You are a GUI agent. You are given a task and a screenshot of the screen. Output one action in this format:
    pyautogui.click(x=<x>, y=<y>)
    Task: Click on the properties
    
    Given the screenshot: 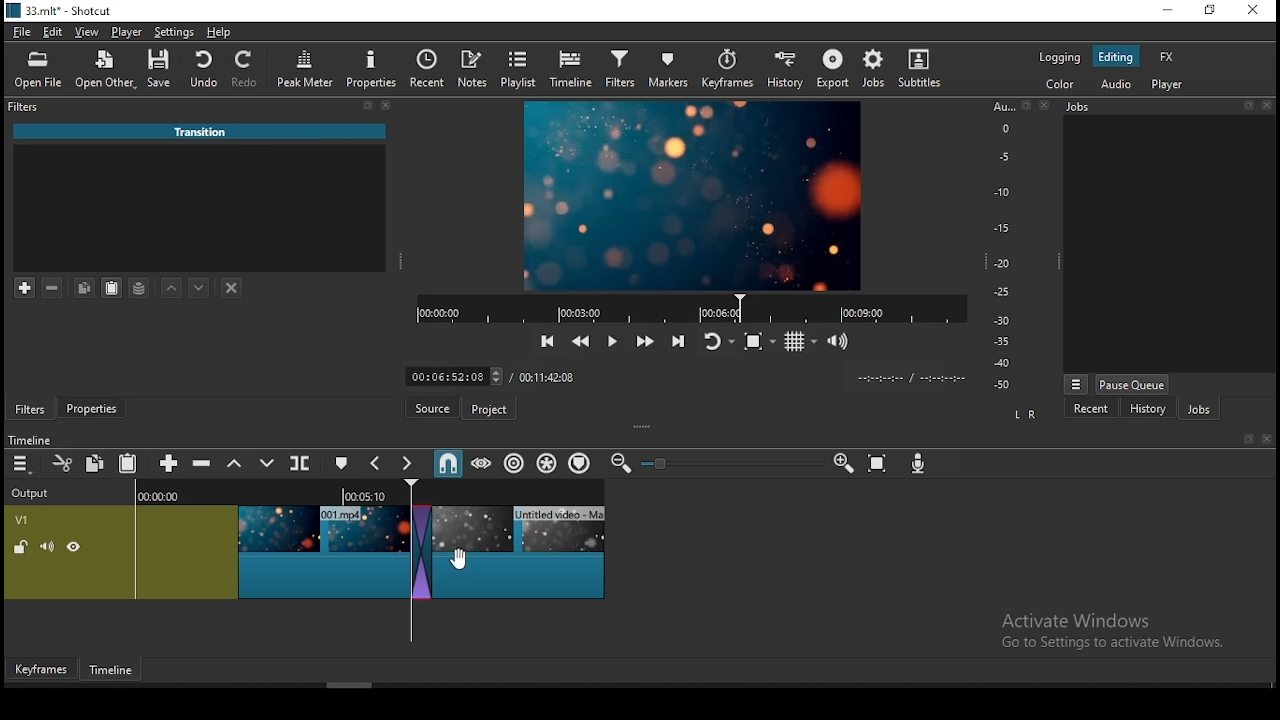 What is the action you would take?
    pyautogui.click(x=371, y=69)
    